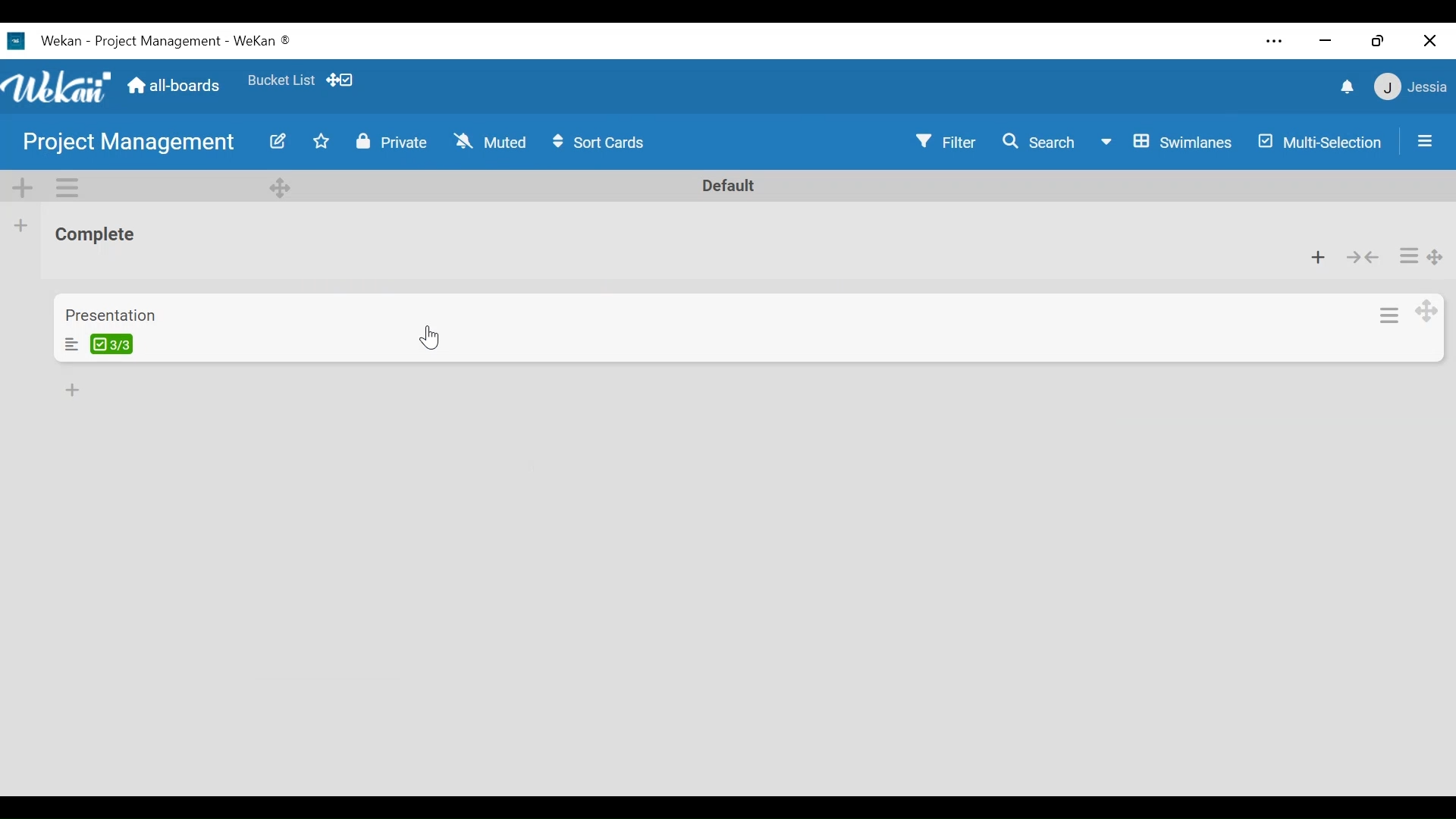 The width and height of the screenshot is (1456, 819). I want to click on desktop drag handles, so click(1436, 258).